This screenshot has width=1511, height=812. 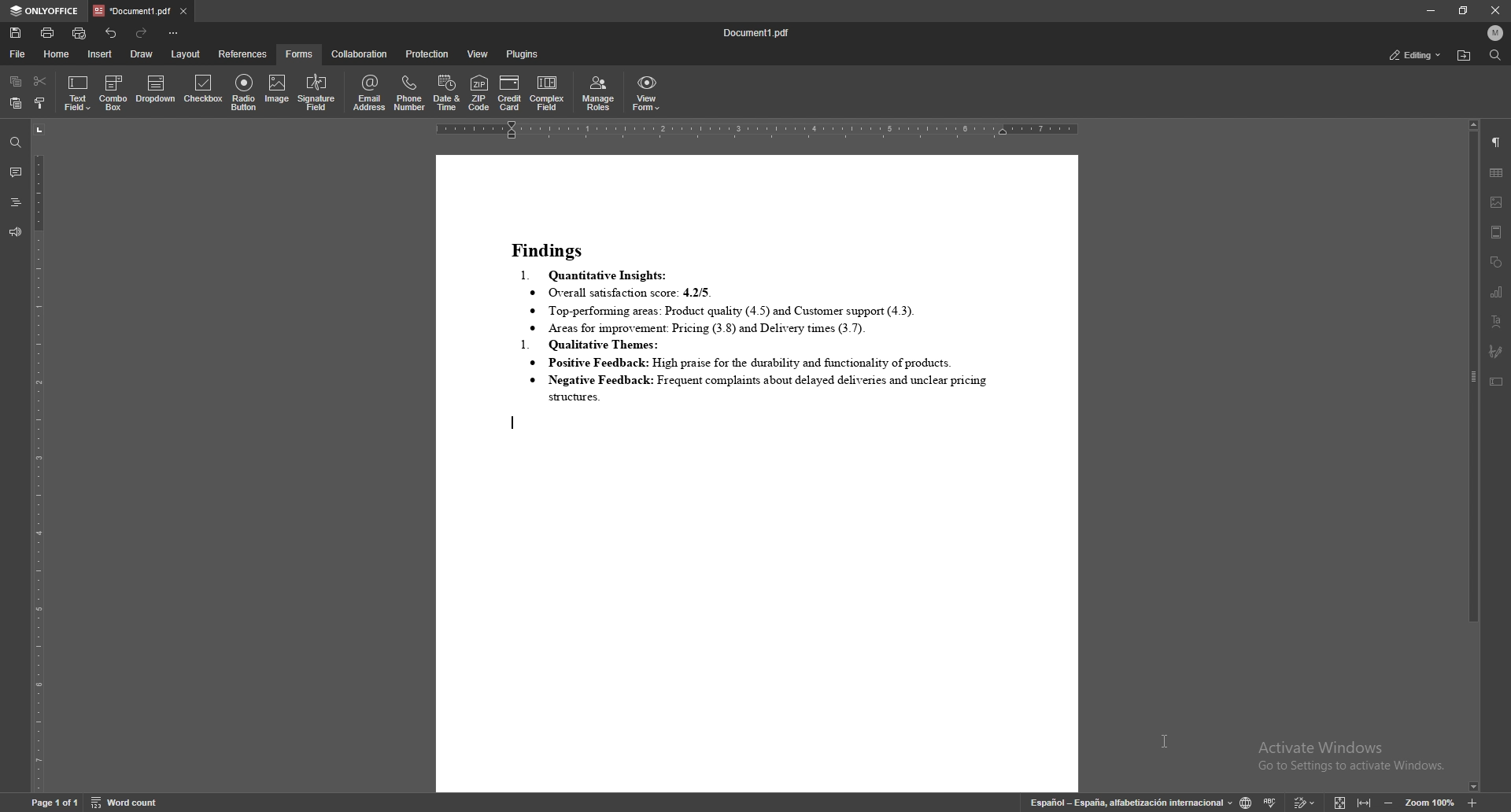 I want to click on dropdown, so click(x=156, y=90).